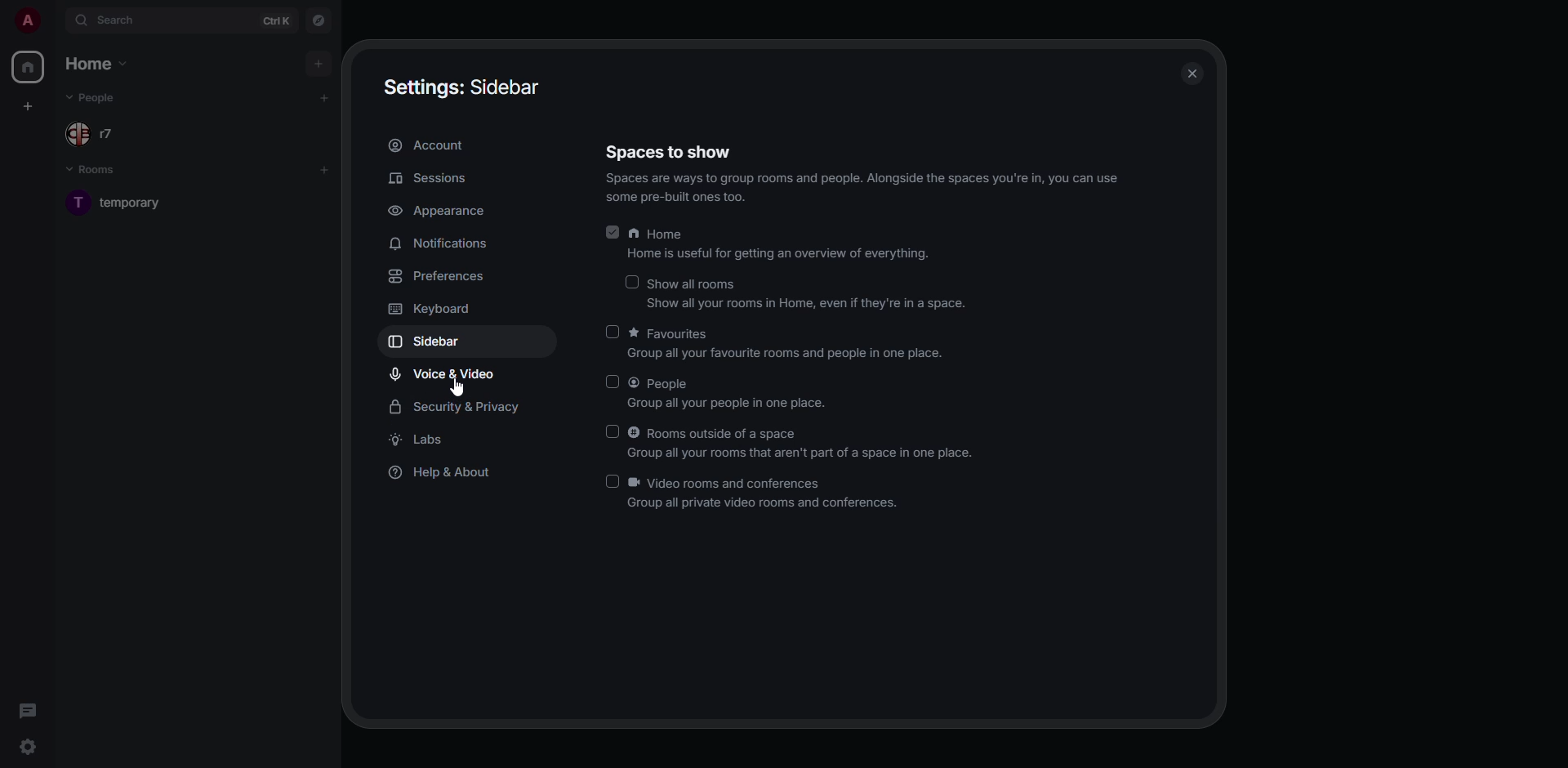  I want to click on settings sidebar, so click(467, 88).